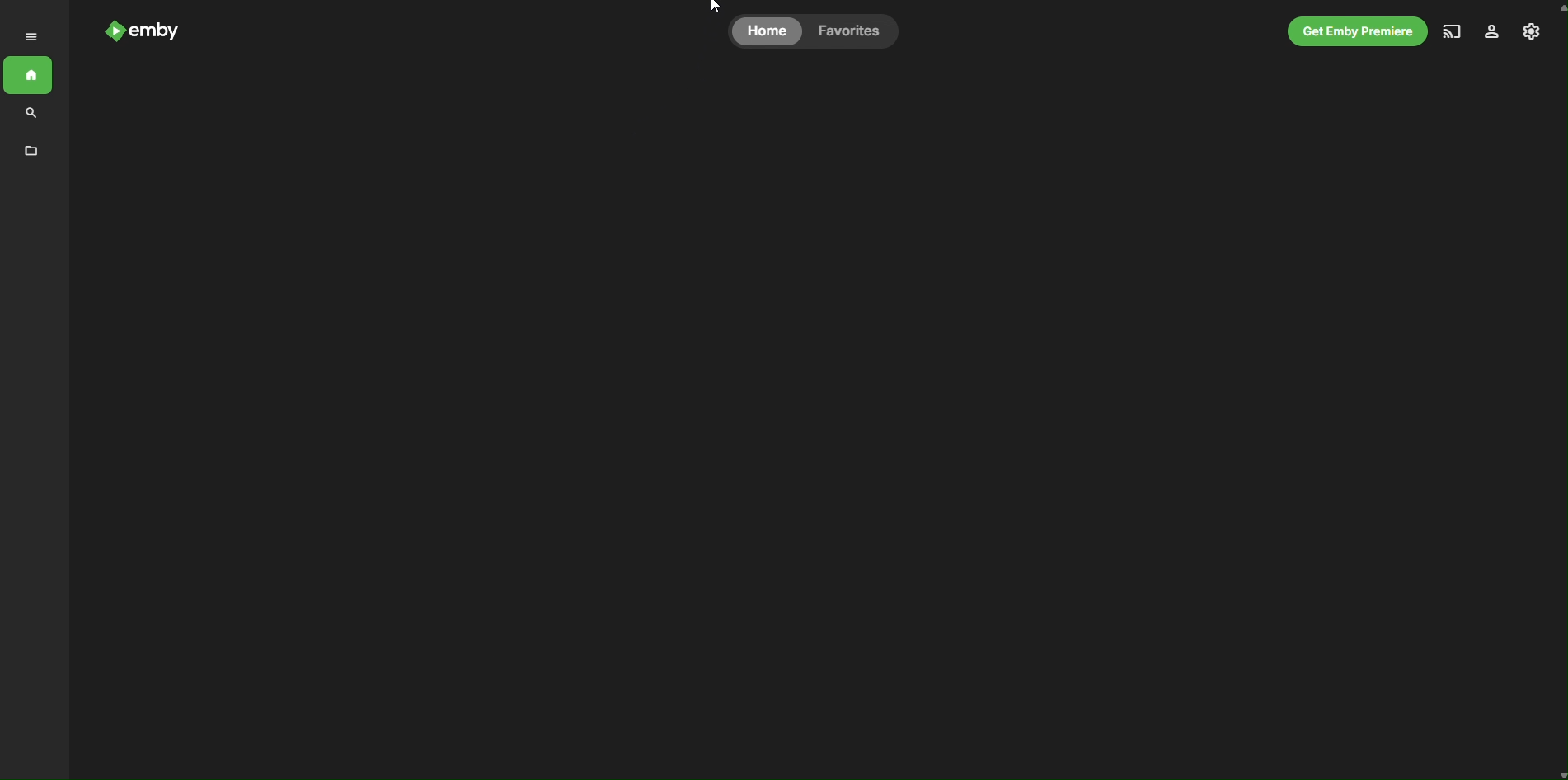 The height and width of the screenshot is (780, 1568). I want to click on Broadcast, so click(1454, 31).